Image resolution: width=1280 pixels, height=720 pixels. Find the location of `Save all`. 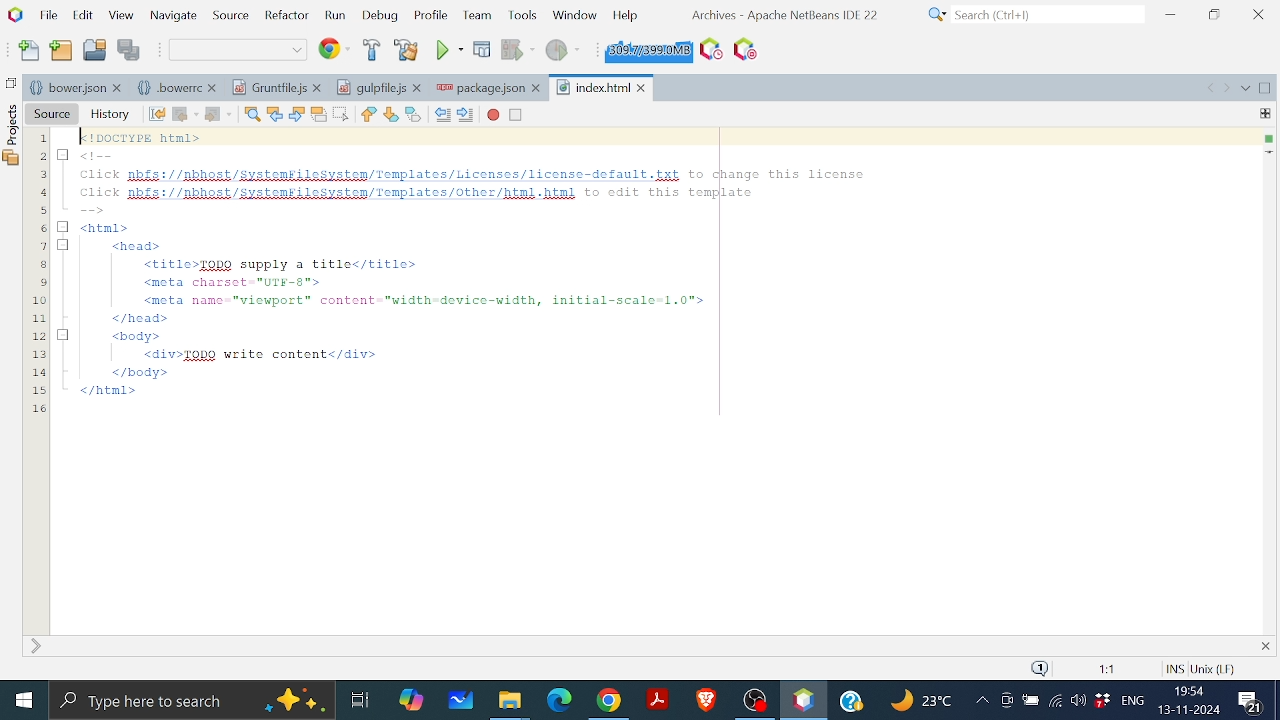

Save all is located at coordinates (129, 51).